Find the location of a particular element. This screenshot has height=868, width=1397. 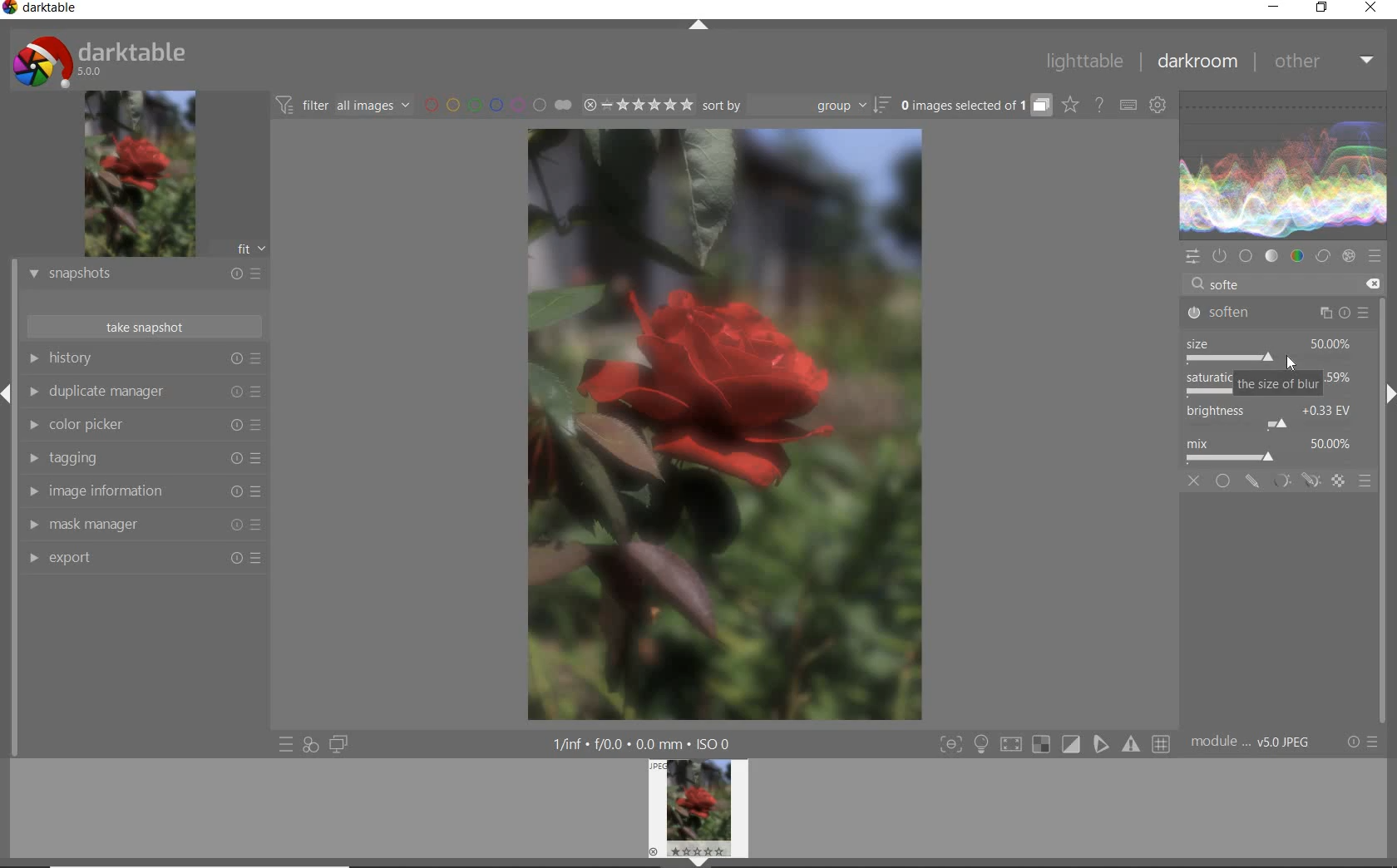

scrollbar is located at coordinates (1382, 452).